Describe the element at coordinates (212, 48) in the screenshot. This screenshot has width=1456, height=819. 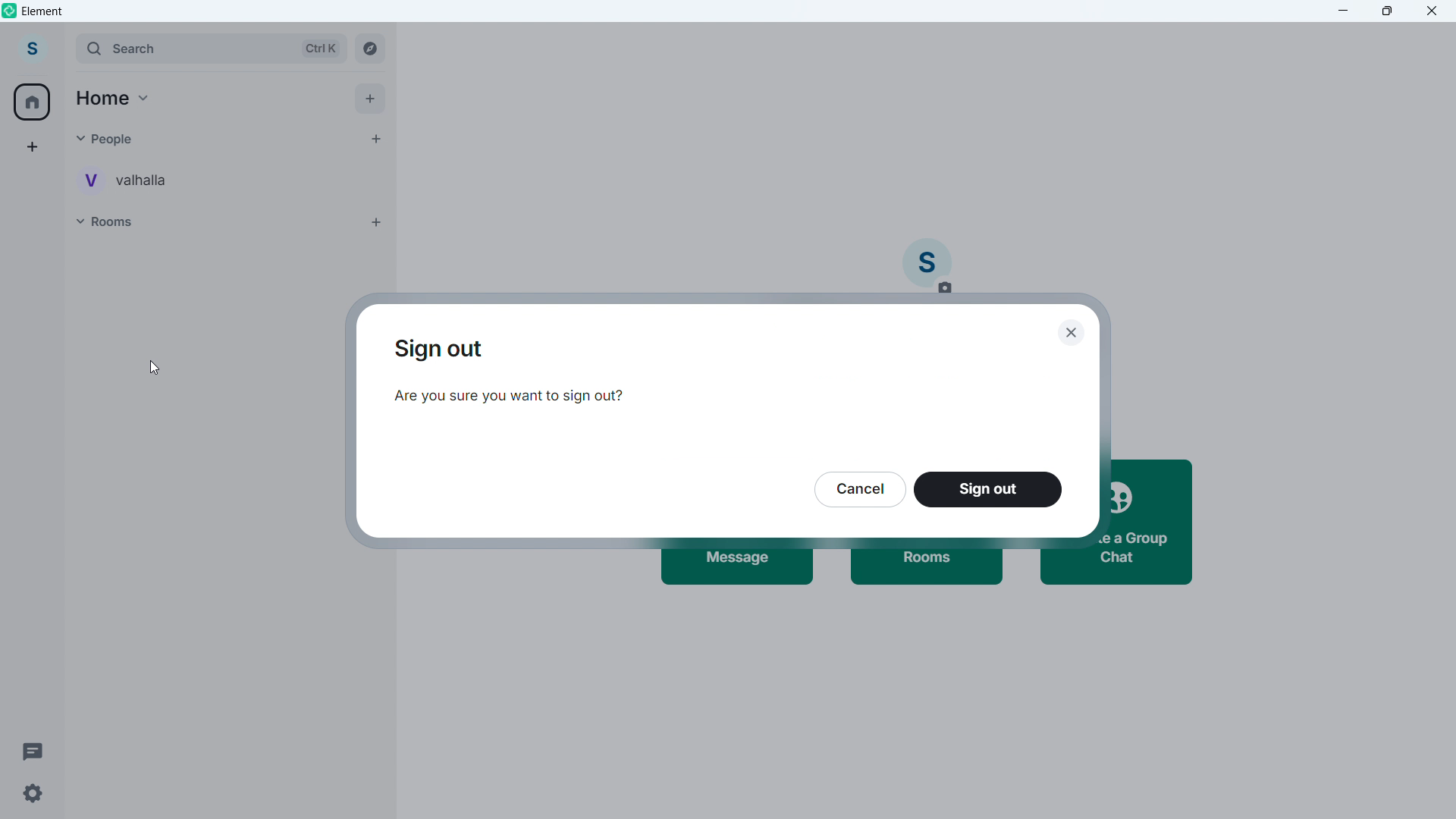
I see `search` at that location.